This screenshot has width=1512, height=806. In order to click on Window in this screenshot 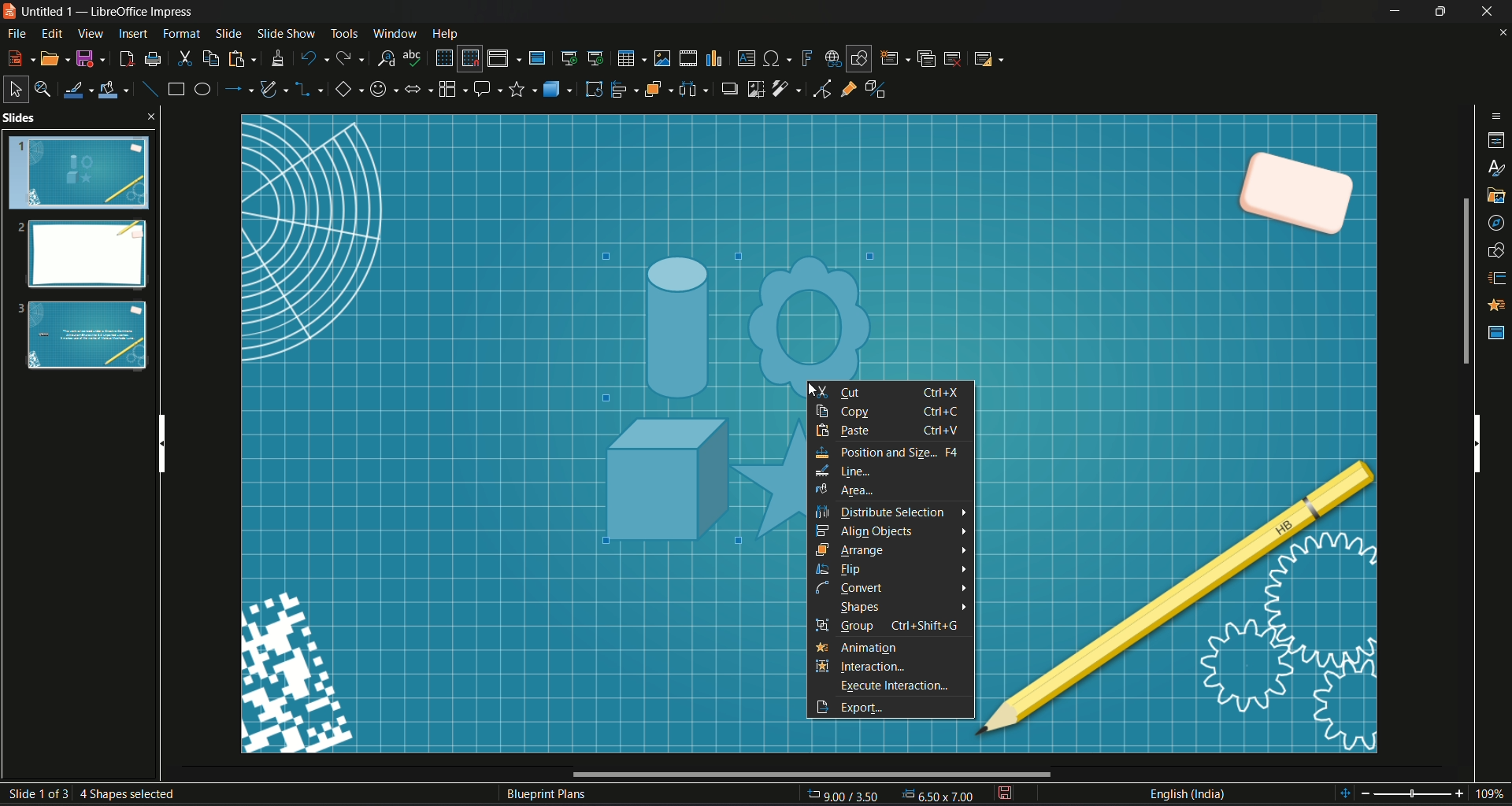, I will do `click(391, 32)`.